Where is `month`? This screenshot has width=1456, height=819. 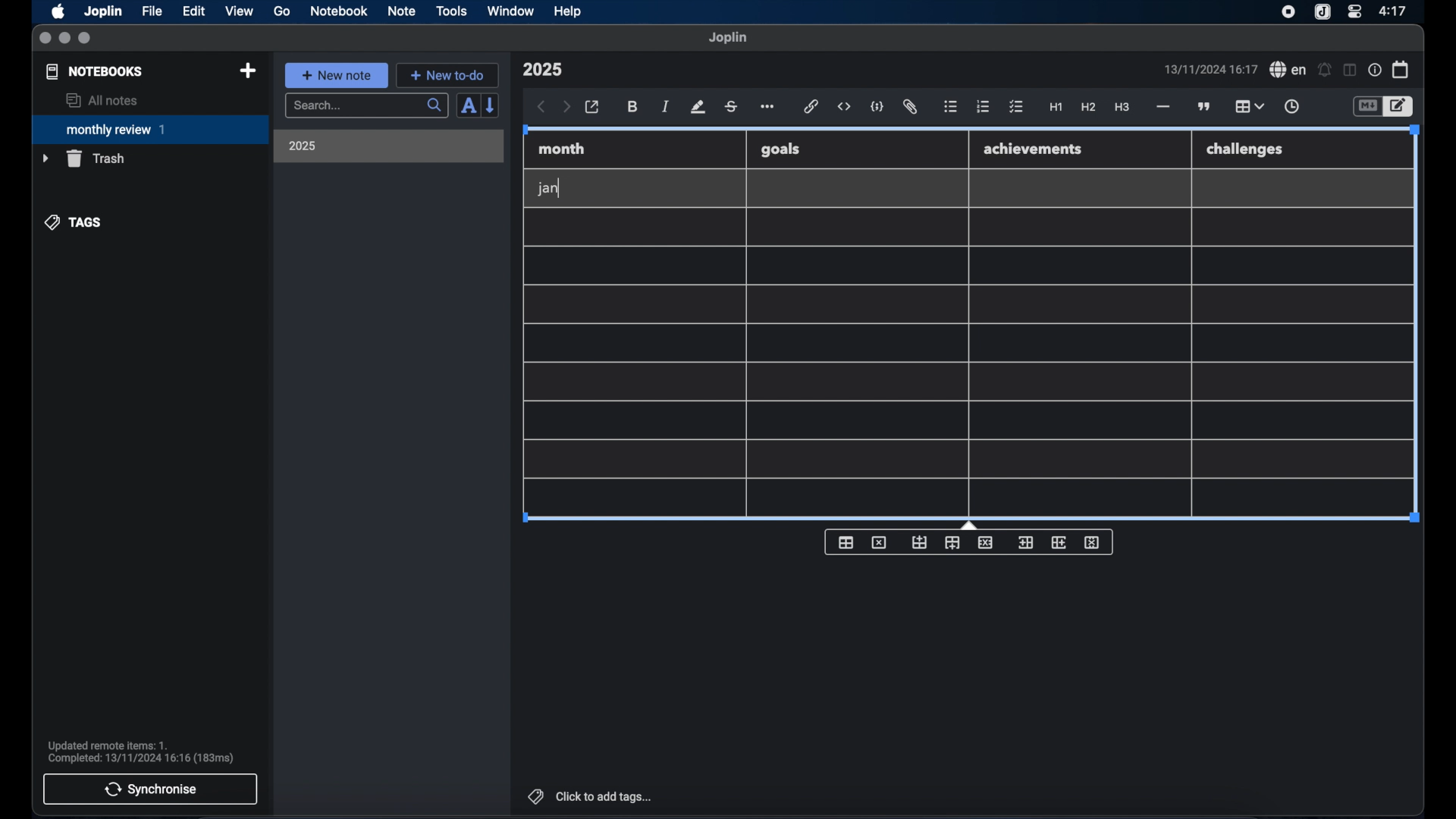
month is located at coordinates (562, 149).